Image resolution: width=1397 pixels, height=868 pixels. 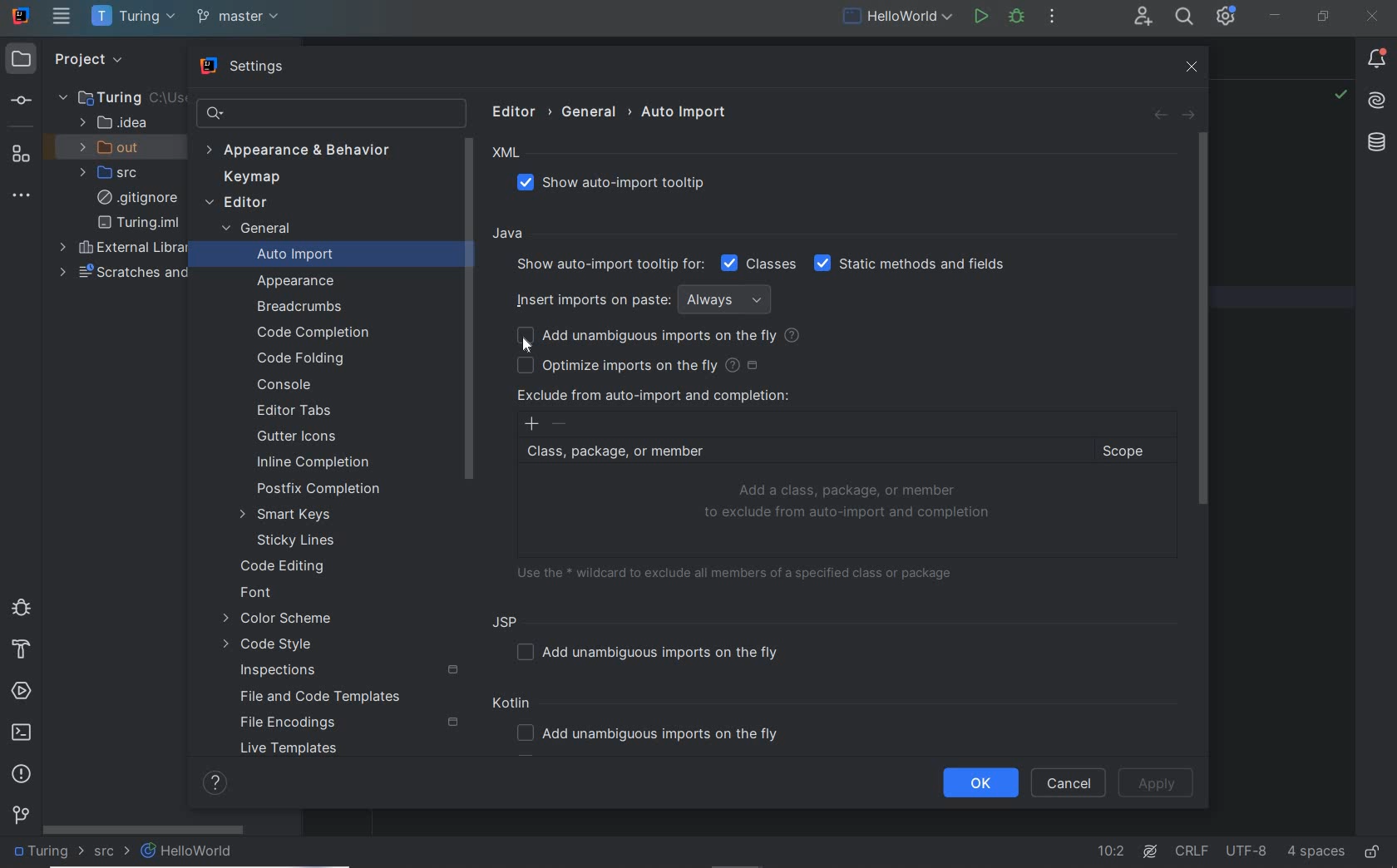 What do you see at coordinates (144, 827) in the screenshot?
I see `SCROLLBAR` at bounding box center [144, 827].